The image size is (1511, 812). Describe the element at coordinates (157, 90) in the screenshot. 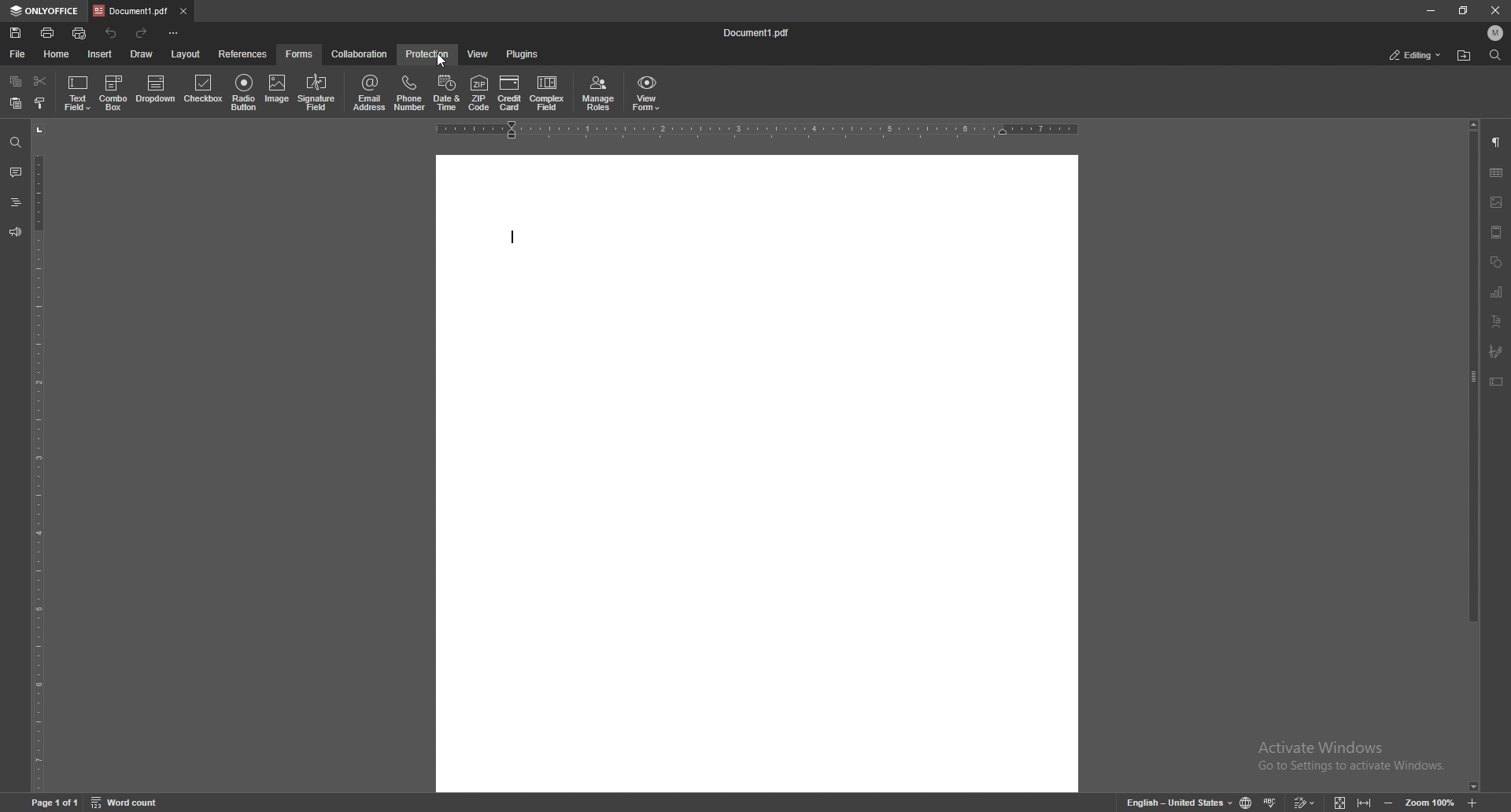

I see `dropdown` at that location.